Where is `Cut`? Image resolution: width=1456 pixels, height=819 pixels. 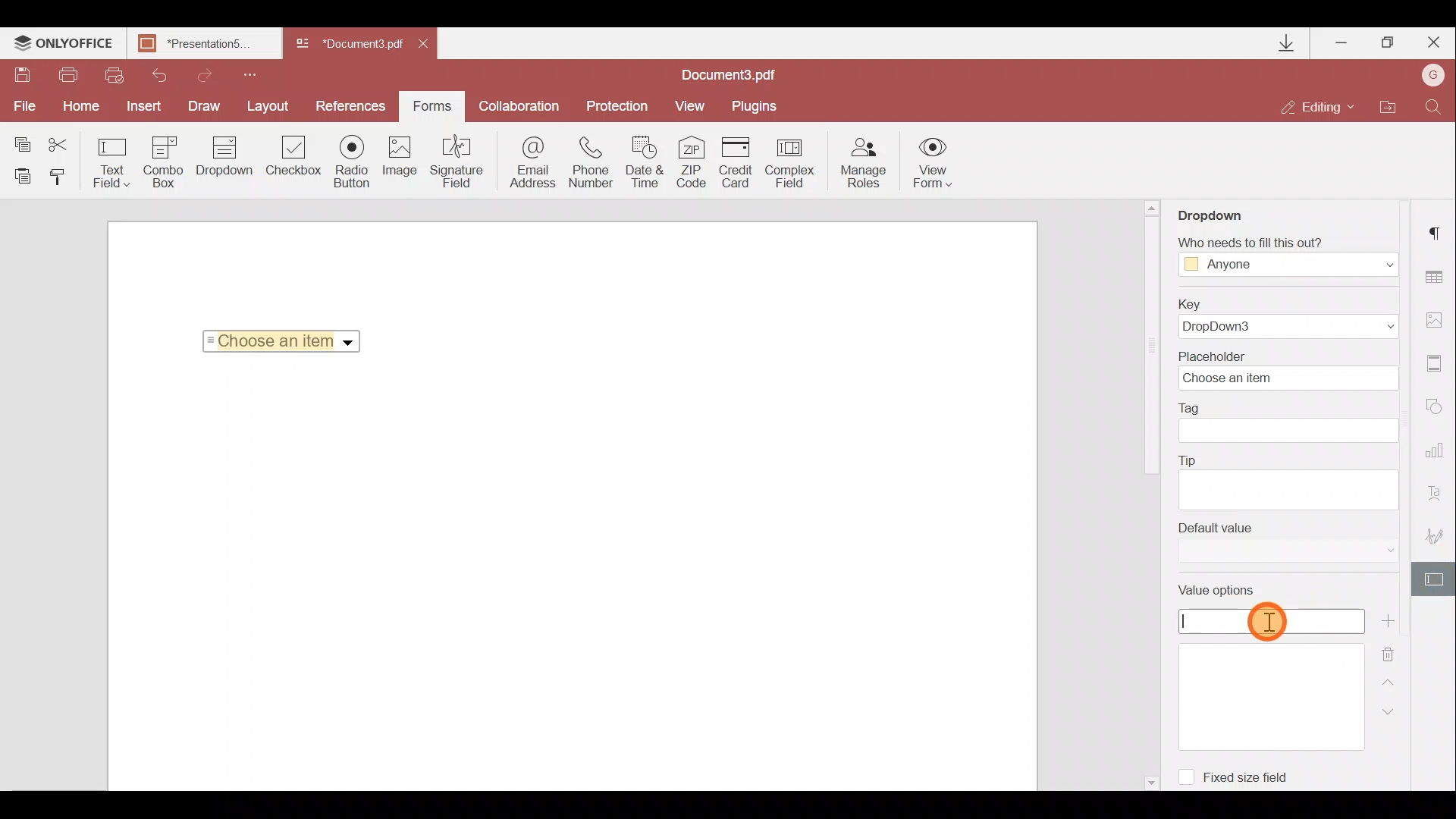 Cut is located at coordinates (60, 140).